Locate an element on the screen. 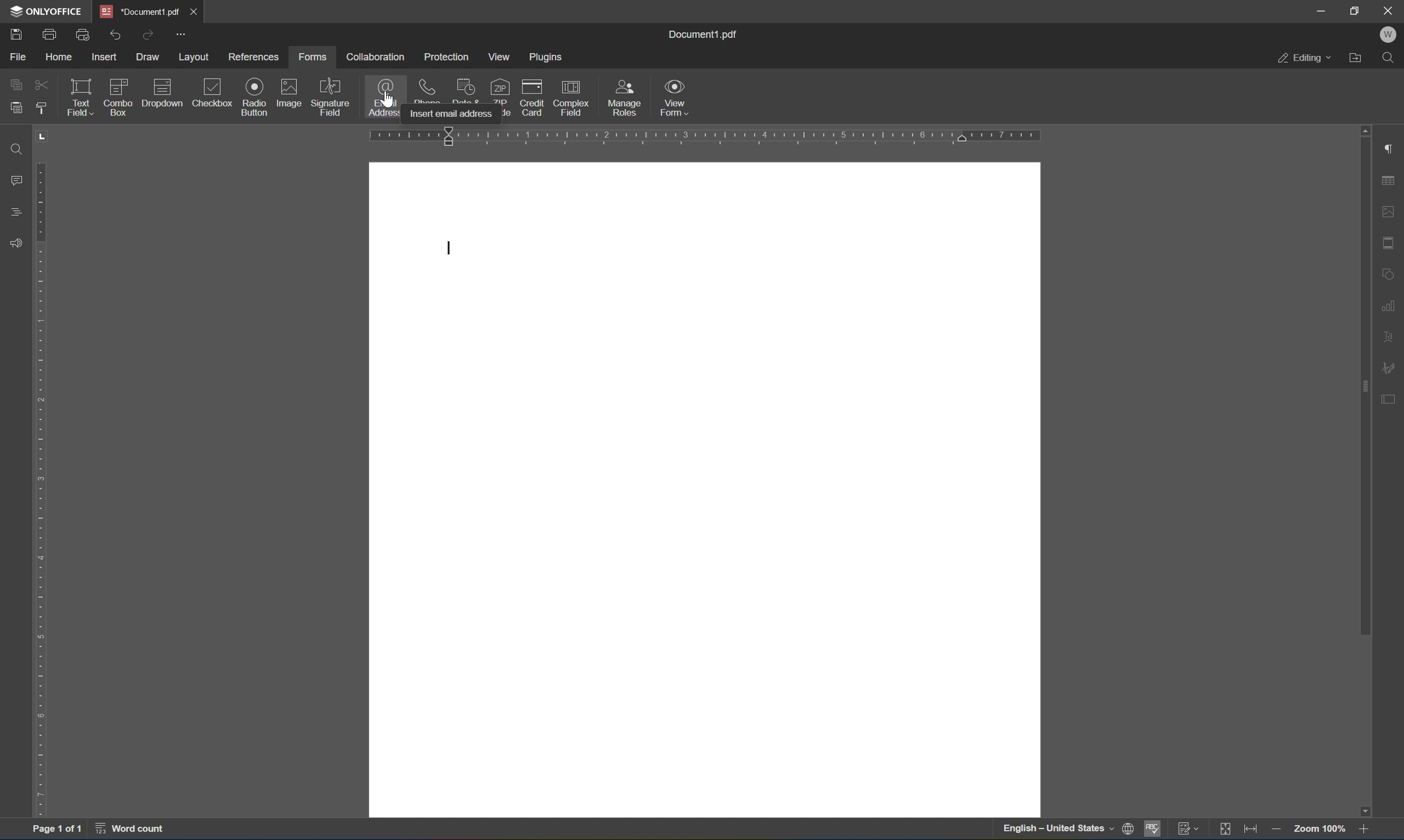 Image resolution: width=1404 pixels, height=840 pixels. forms is located at coordinates (313, 57).